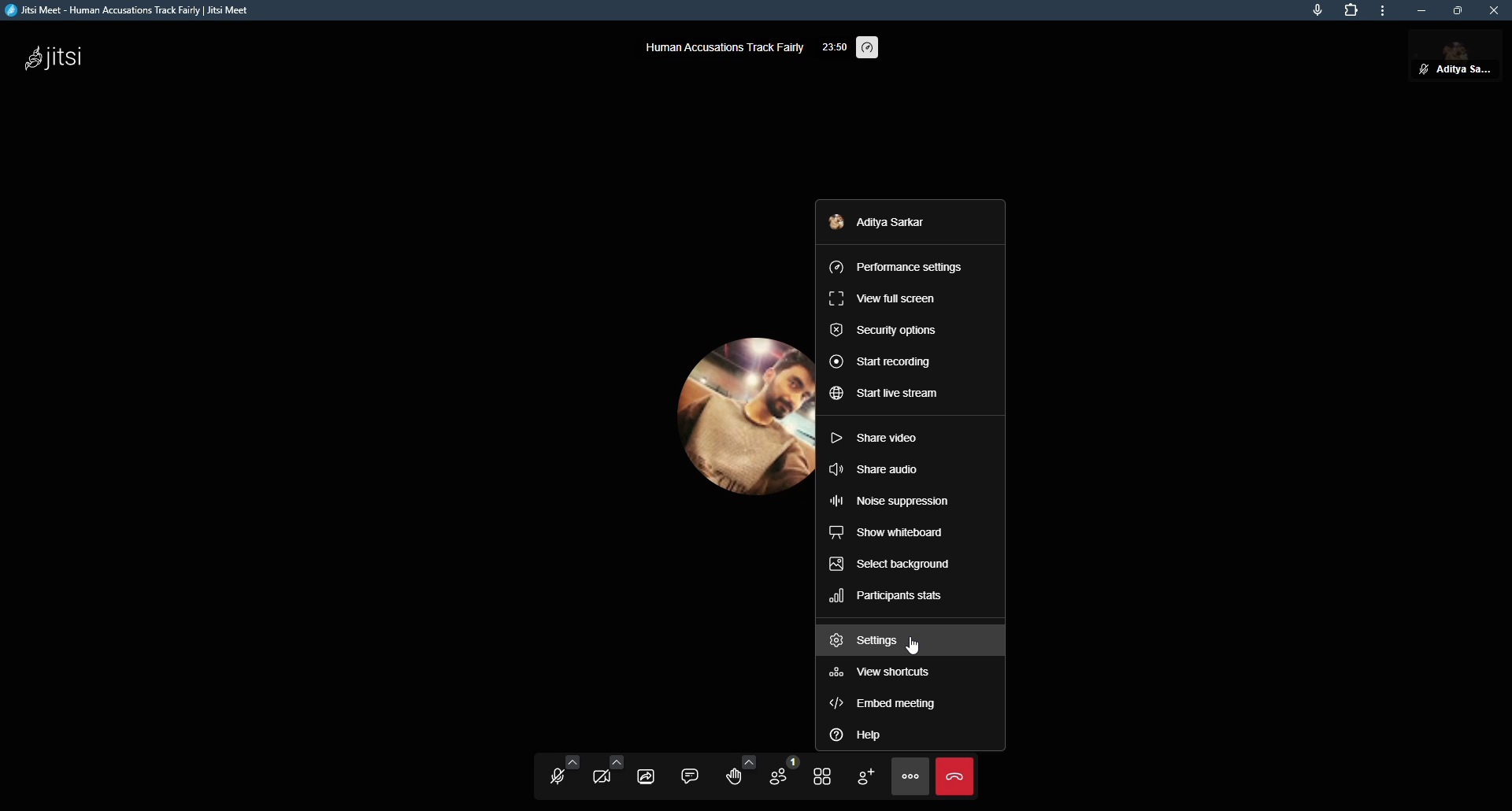 This screenshot has width=1512, height=811. I want to click on minimize, so click(1424, 12).